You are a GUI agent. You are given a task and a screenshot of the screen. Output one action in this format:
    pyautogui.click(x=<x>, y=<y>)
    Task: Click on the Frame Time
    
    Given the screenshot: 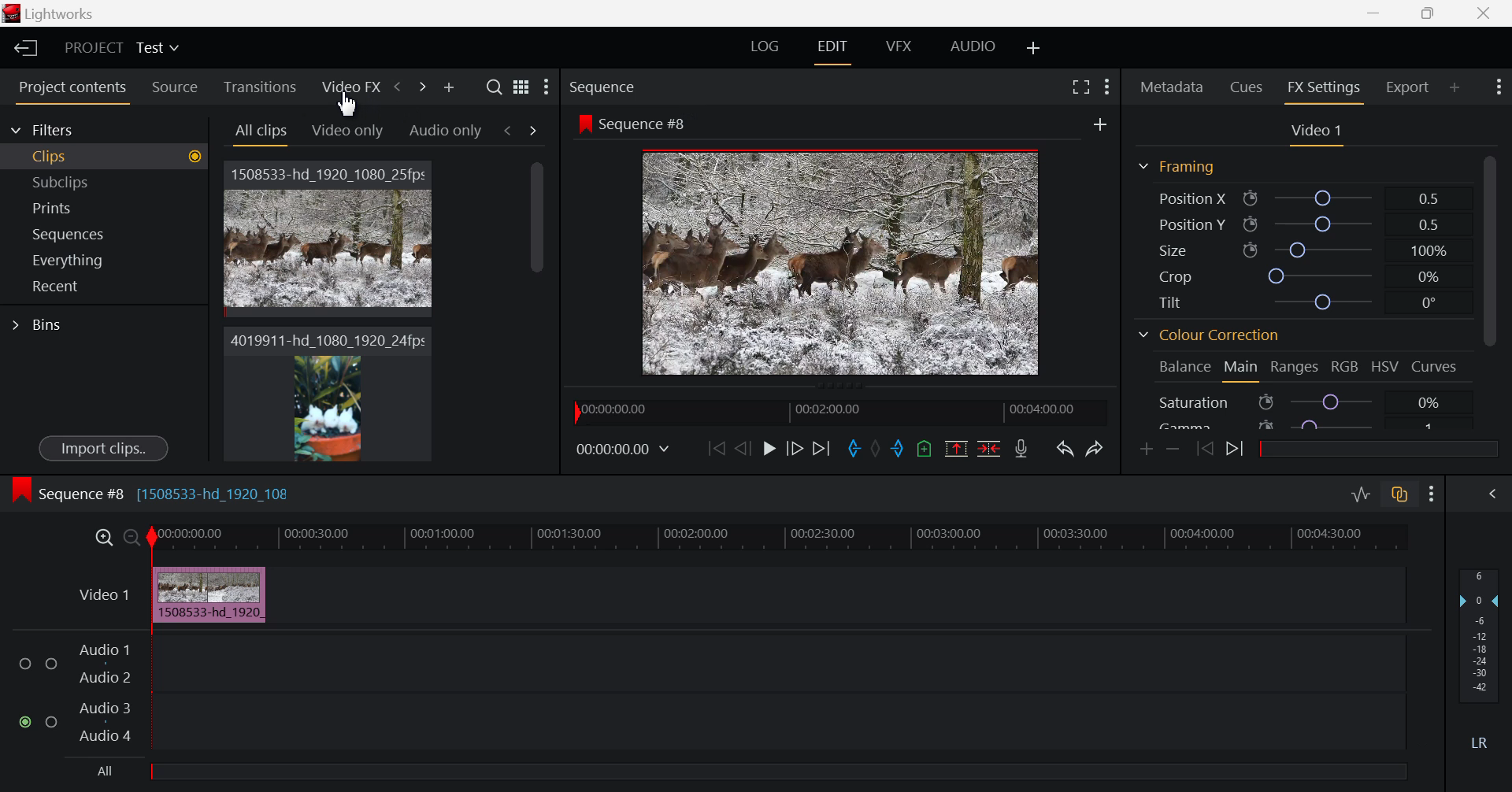 What is the action you would take?
    pyautogui.click(x=624, y=448)
    